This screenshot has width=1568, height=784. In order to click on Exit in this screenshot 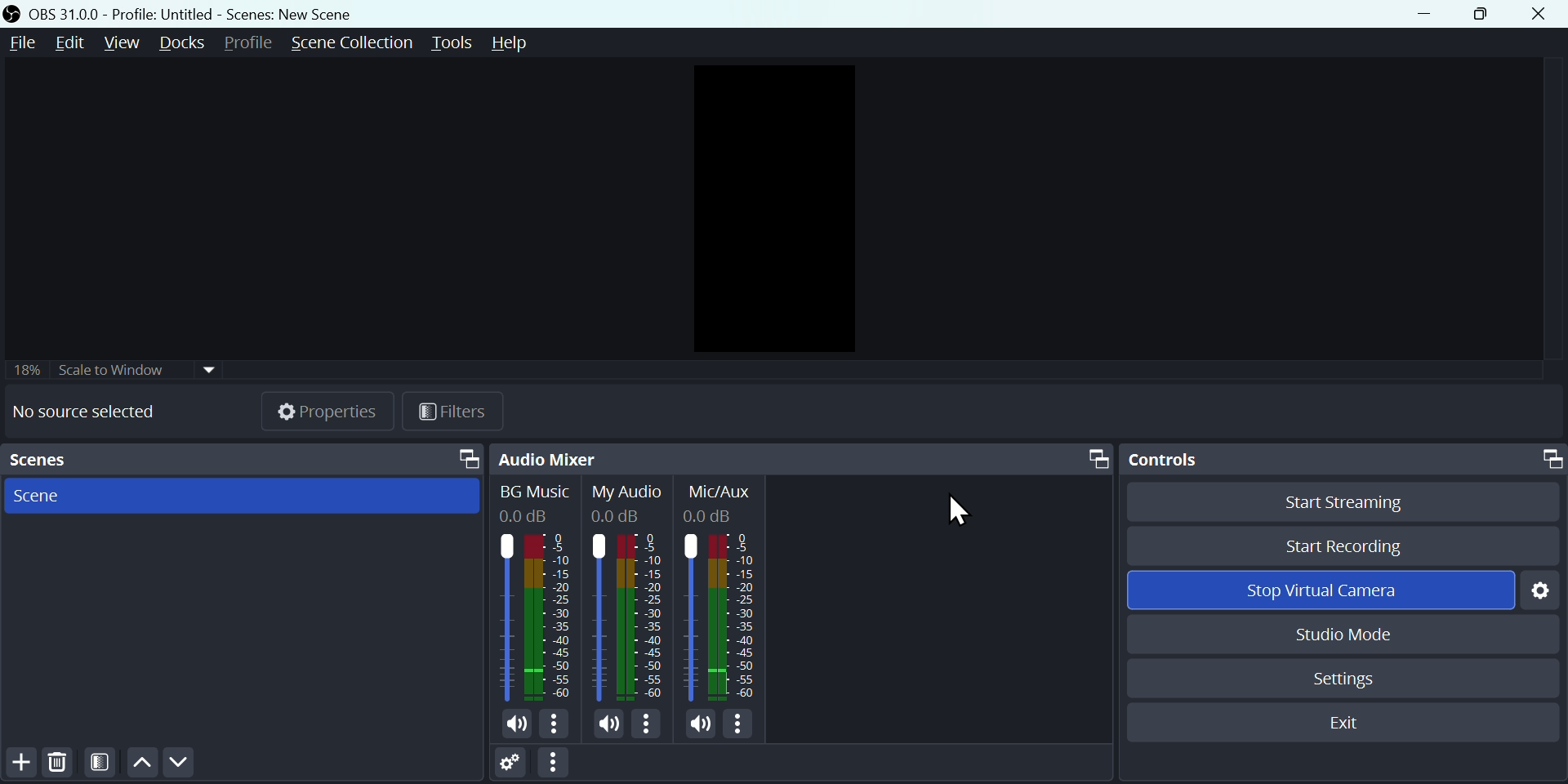, I will do `click(1343, 725)`.